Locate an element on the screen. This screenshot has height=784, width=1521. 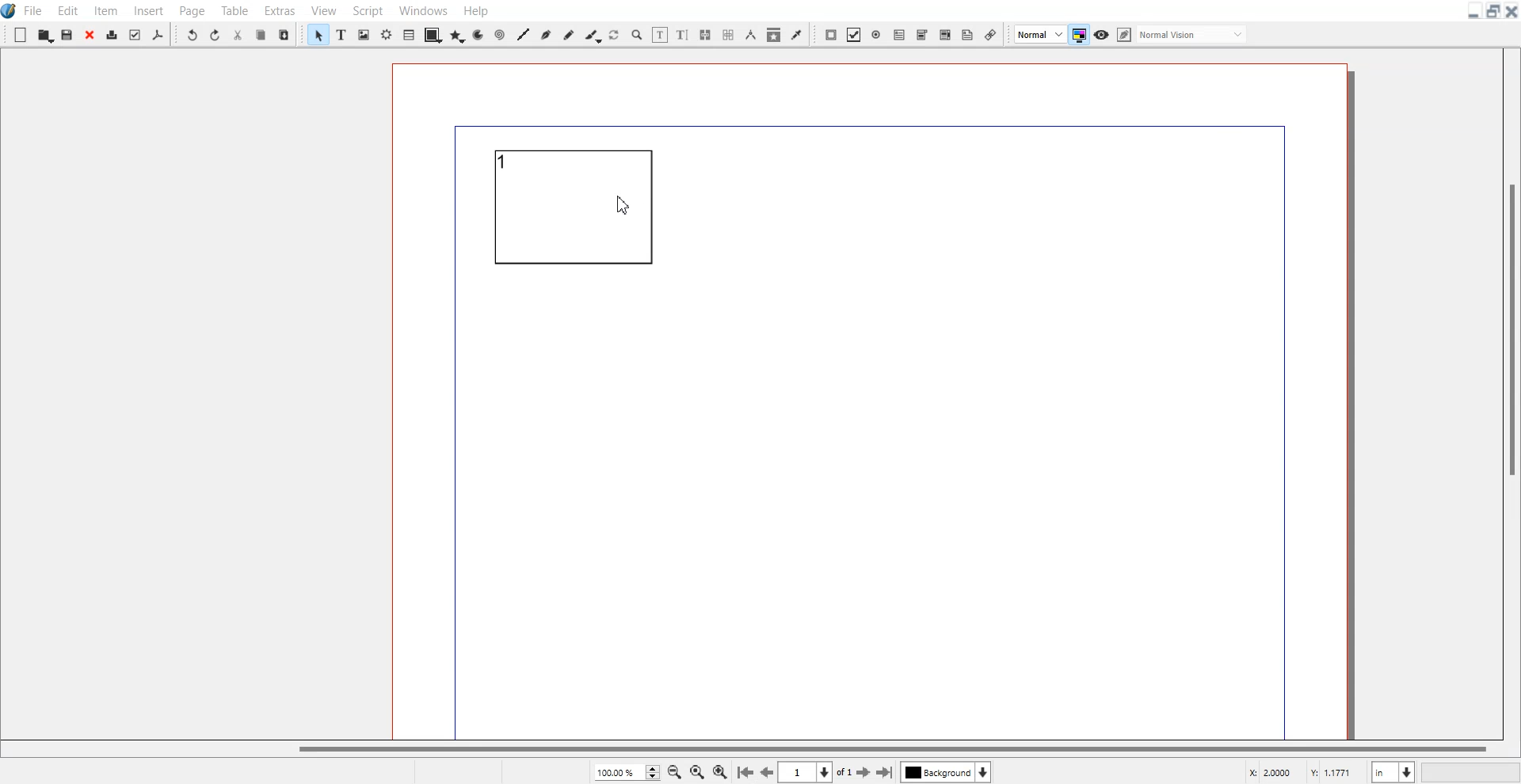
Line is located at coordinates (522, 34).